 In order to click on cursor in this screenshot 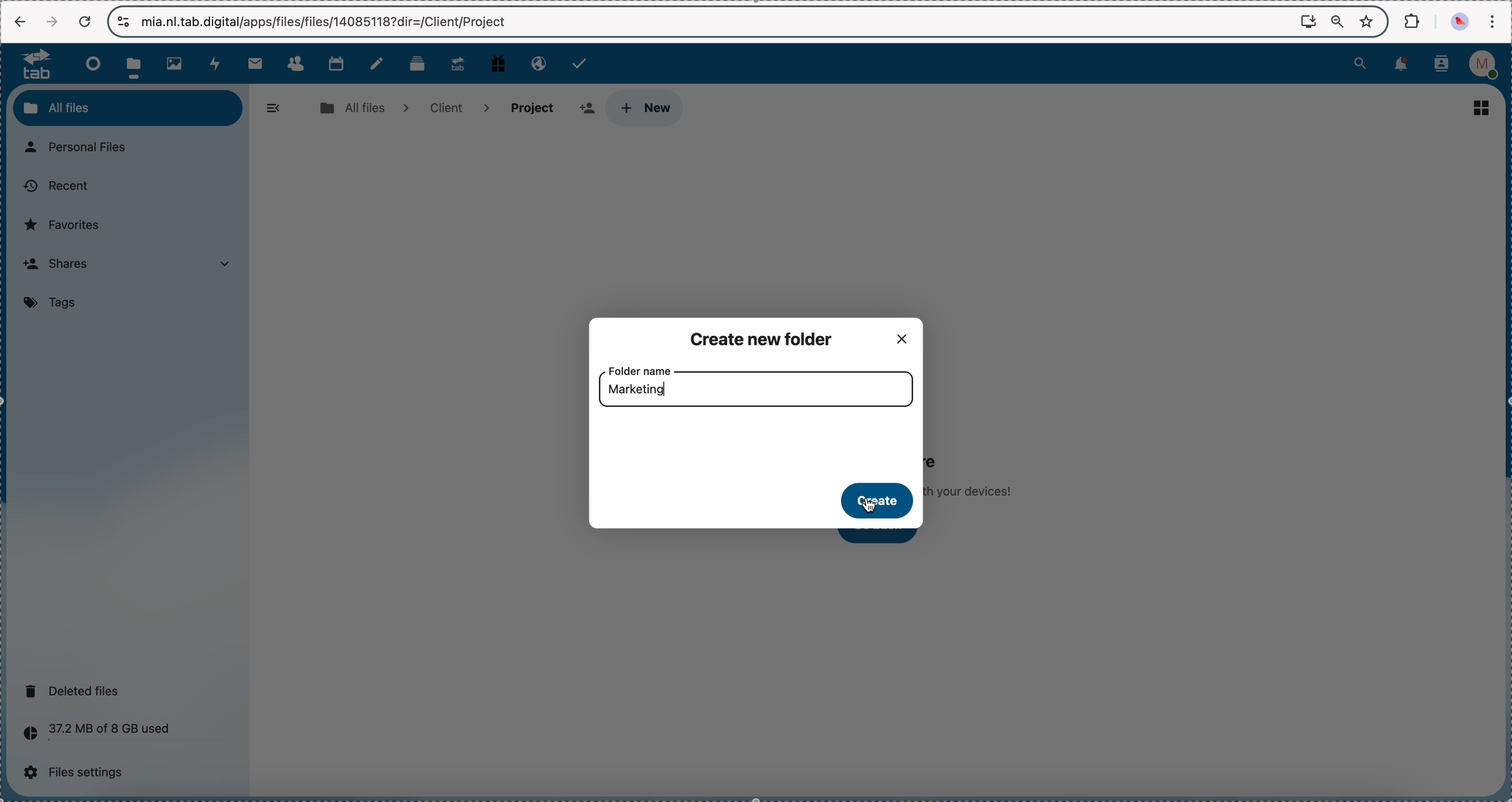, I will do `click(872, 508)`.